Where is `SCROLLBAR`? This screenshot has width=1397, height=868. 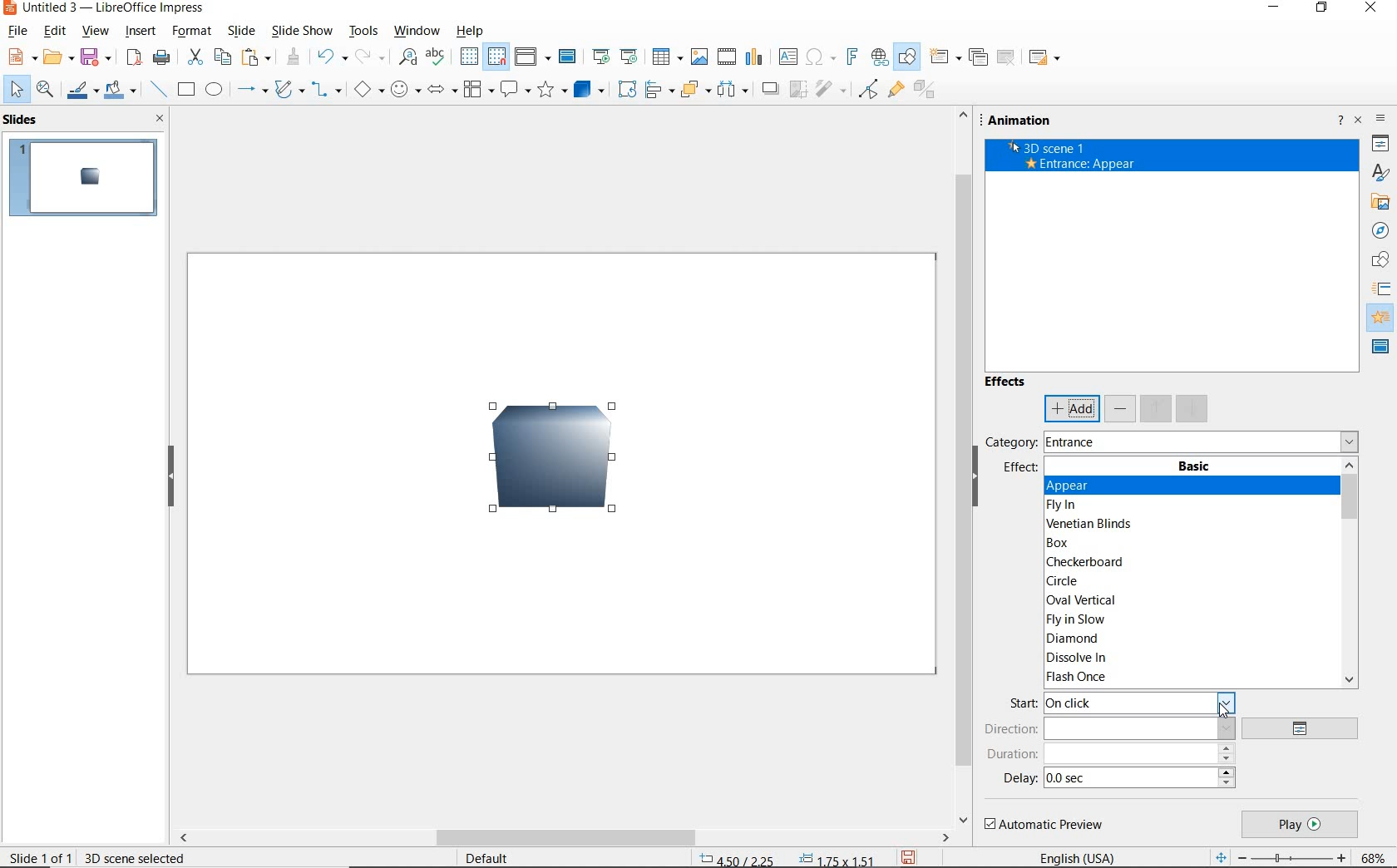
SCROLLBAR is located at coordinates (961, 467).